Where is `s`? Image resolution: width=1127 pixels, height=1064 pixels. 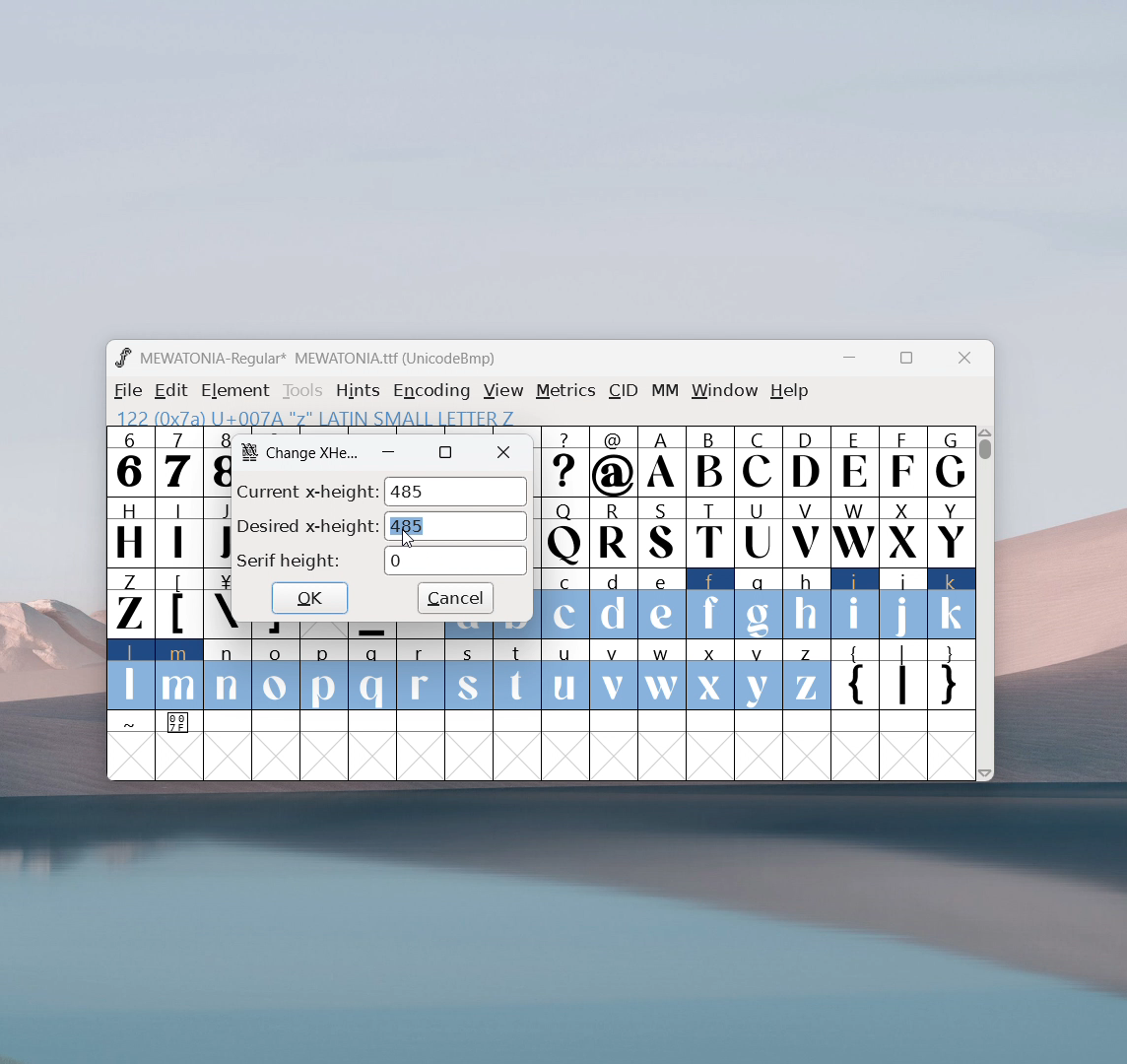
s is located at coordinates (469, 676).